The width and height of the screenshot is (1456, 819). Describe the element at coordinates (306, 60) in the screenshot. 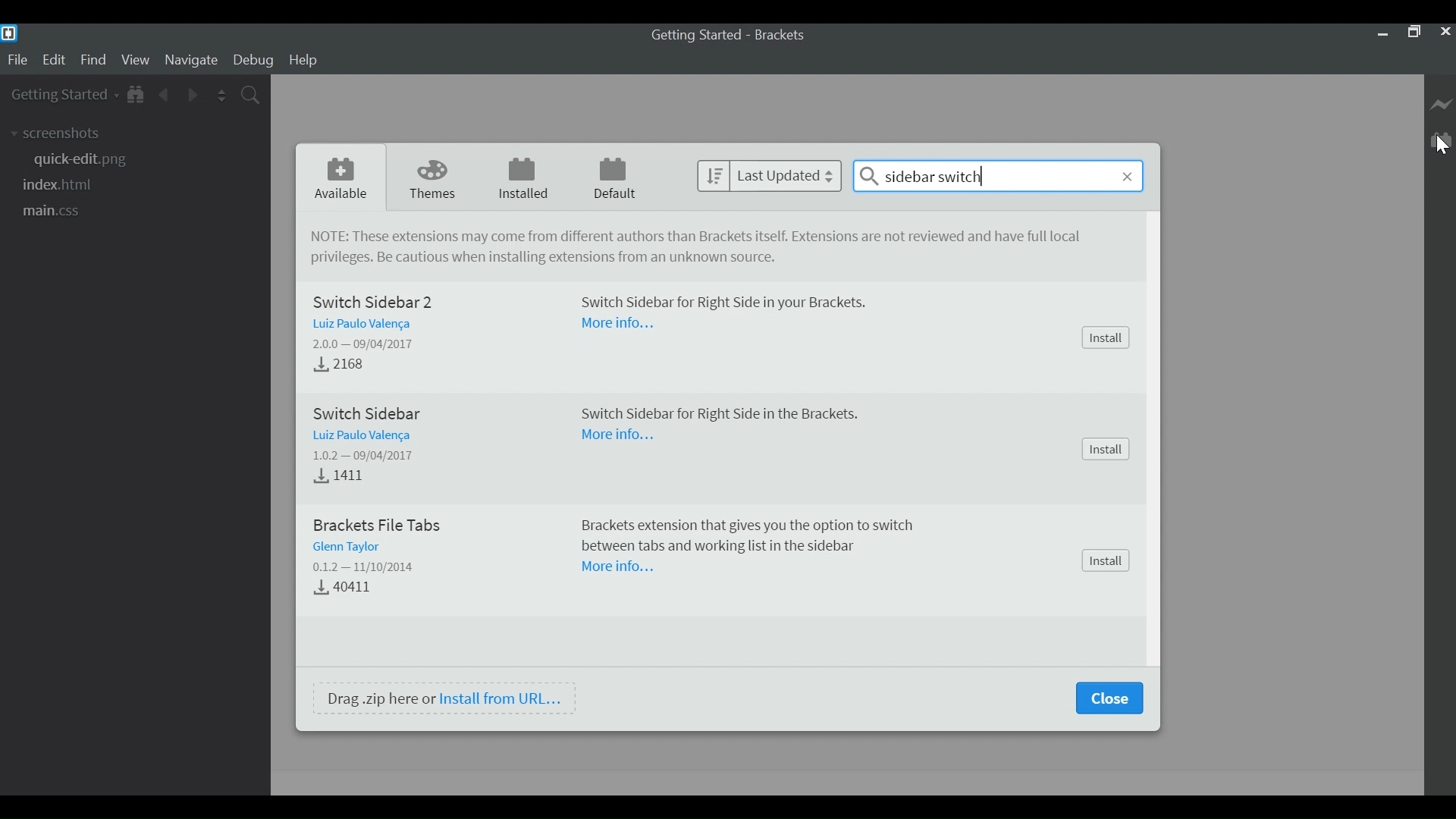

I see `Help` at that location.